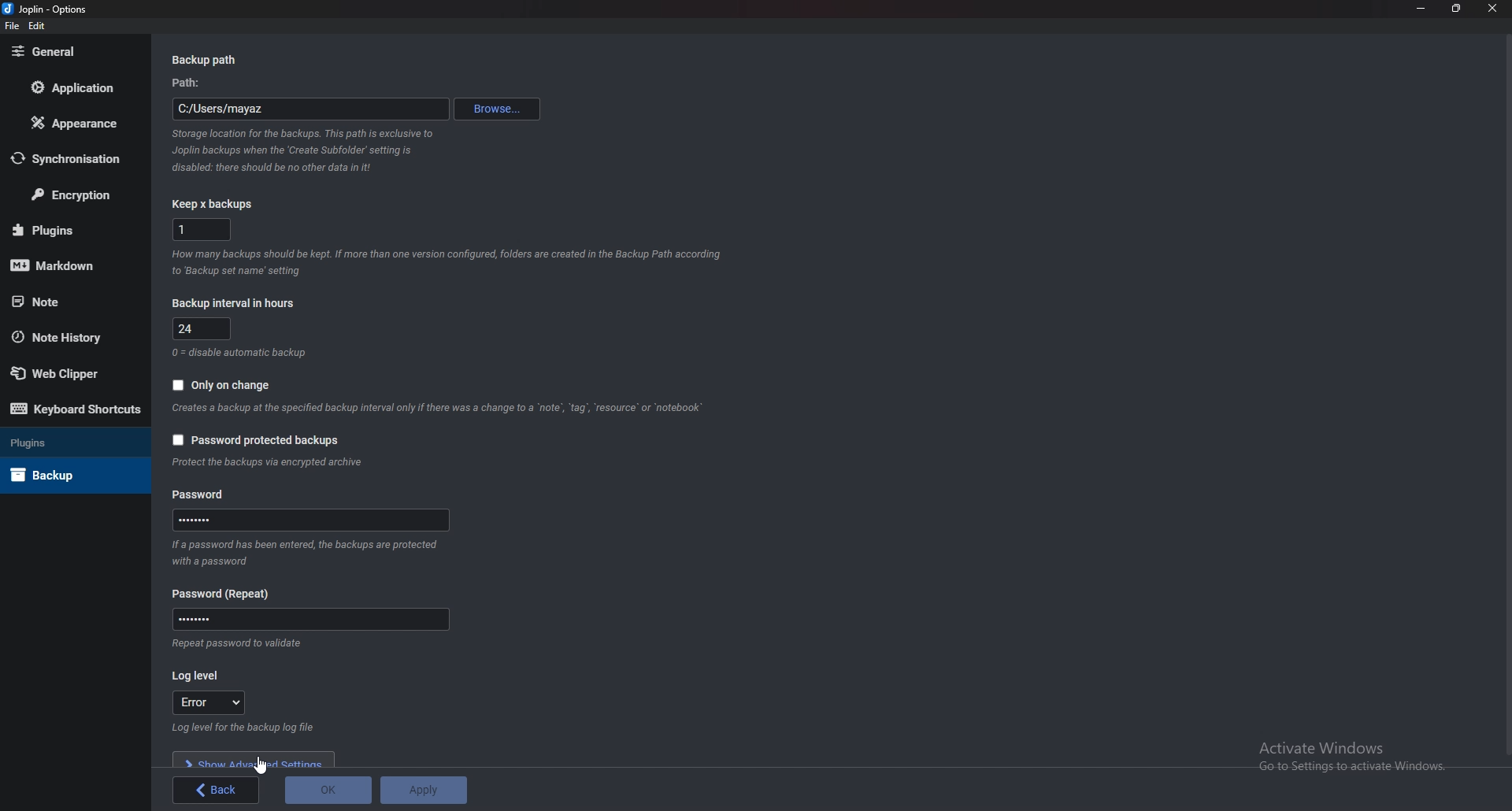  Describe the element at coordinates (257, 759) in the screenshot. I see `Show advanced settings` at that location.